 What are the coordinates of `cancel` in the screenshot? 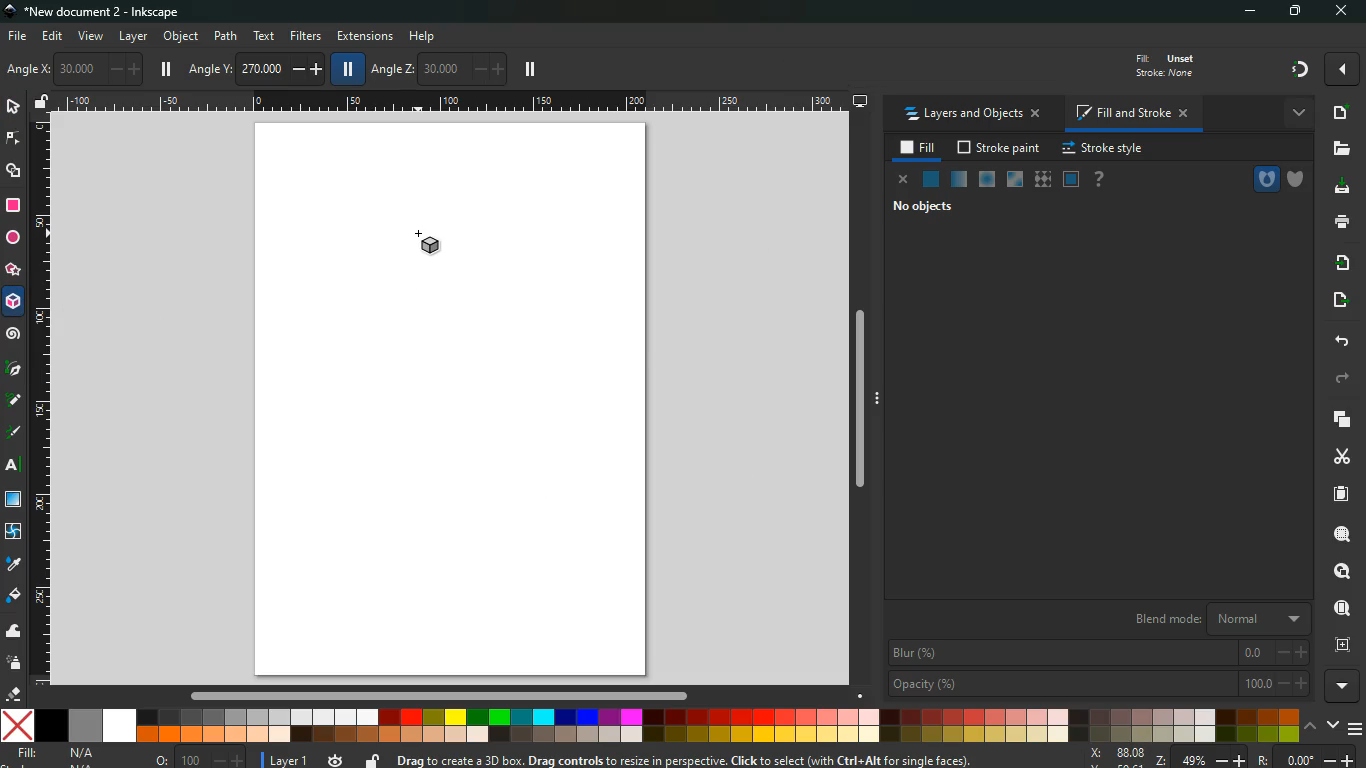 It's located at (900, 180).